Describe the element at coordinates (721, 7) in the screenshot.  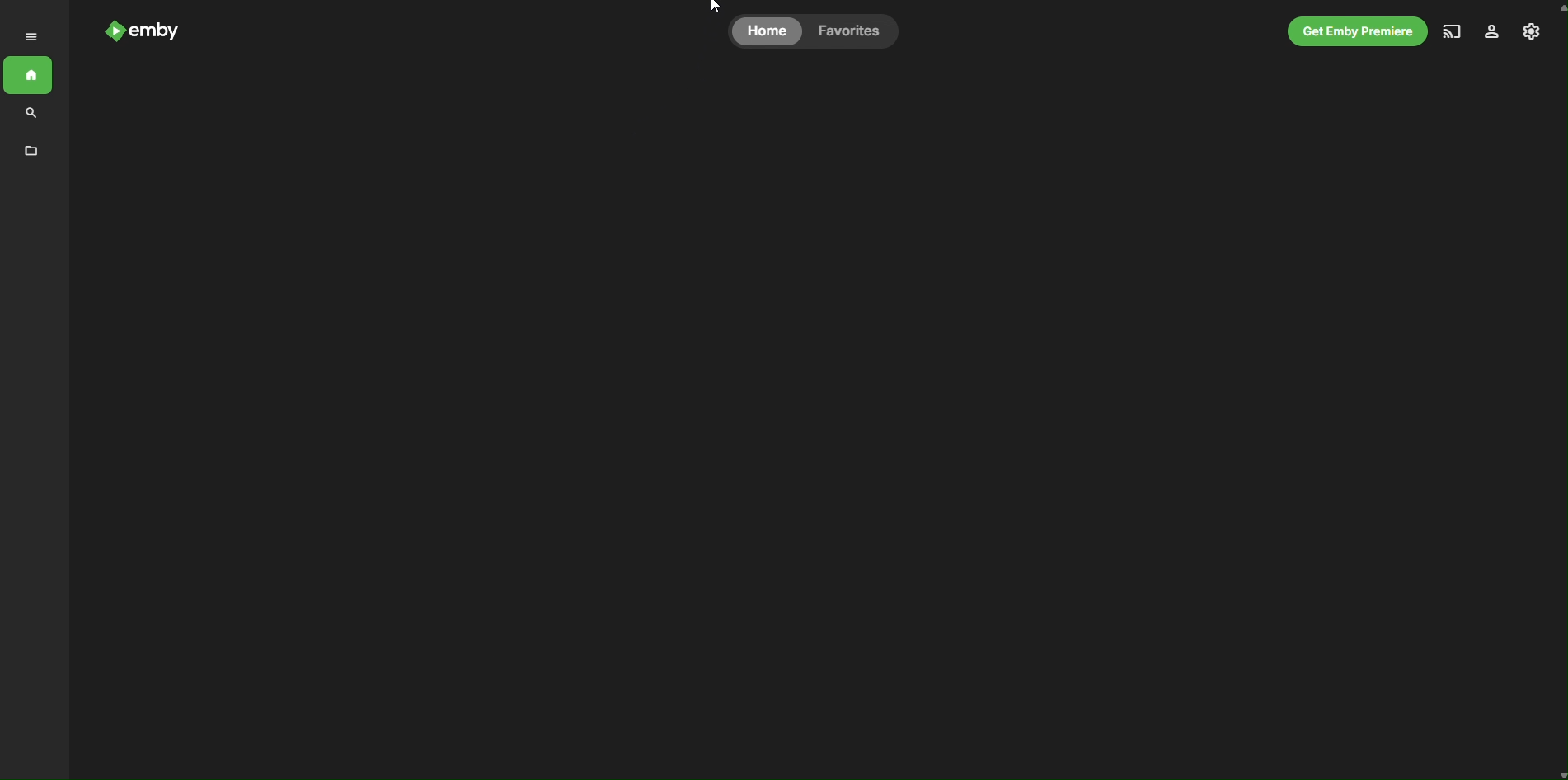
I see `cursor` at that location.